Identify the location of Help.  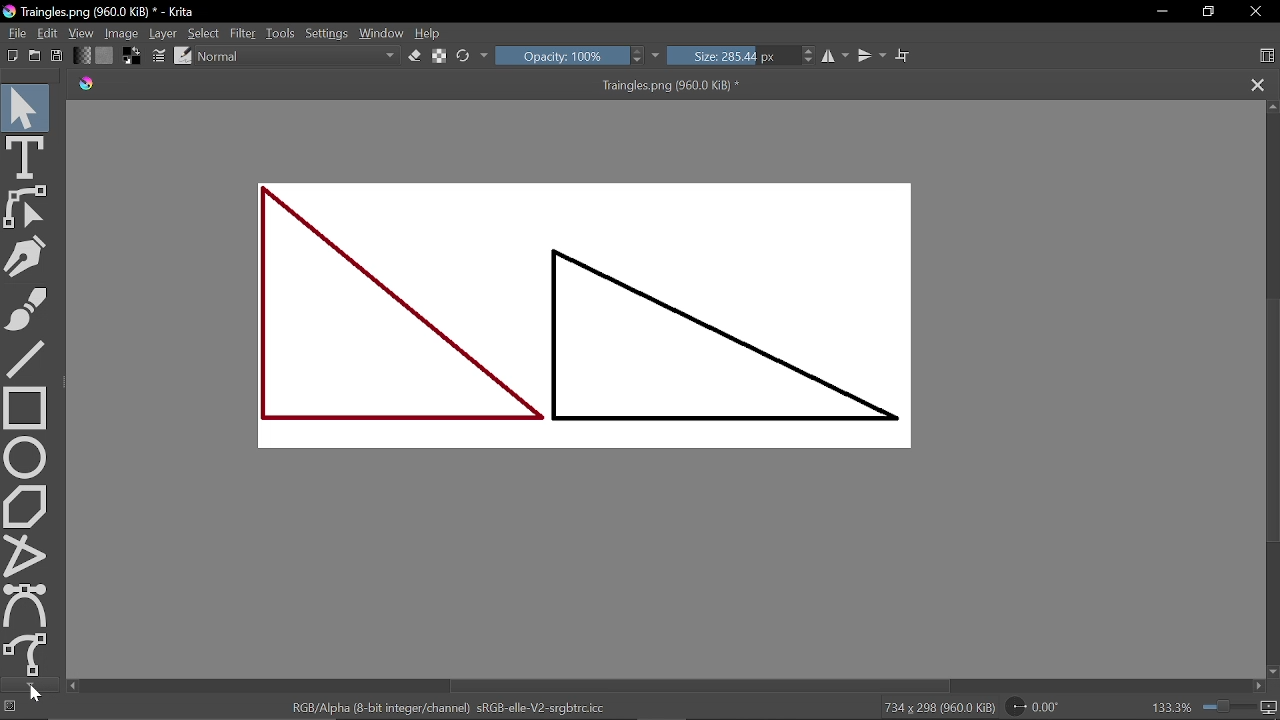
(430, 31).